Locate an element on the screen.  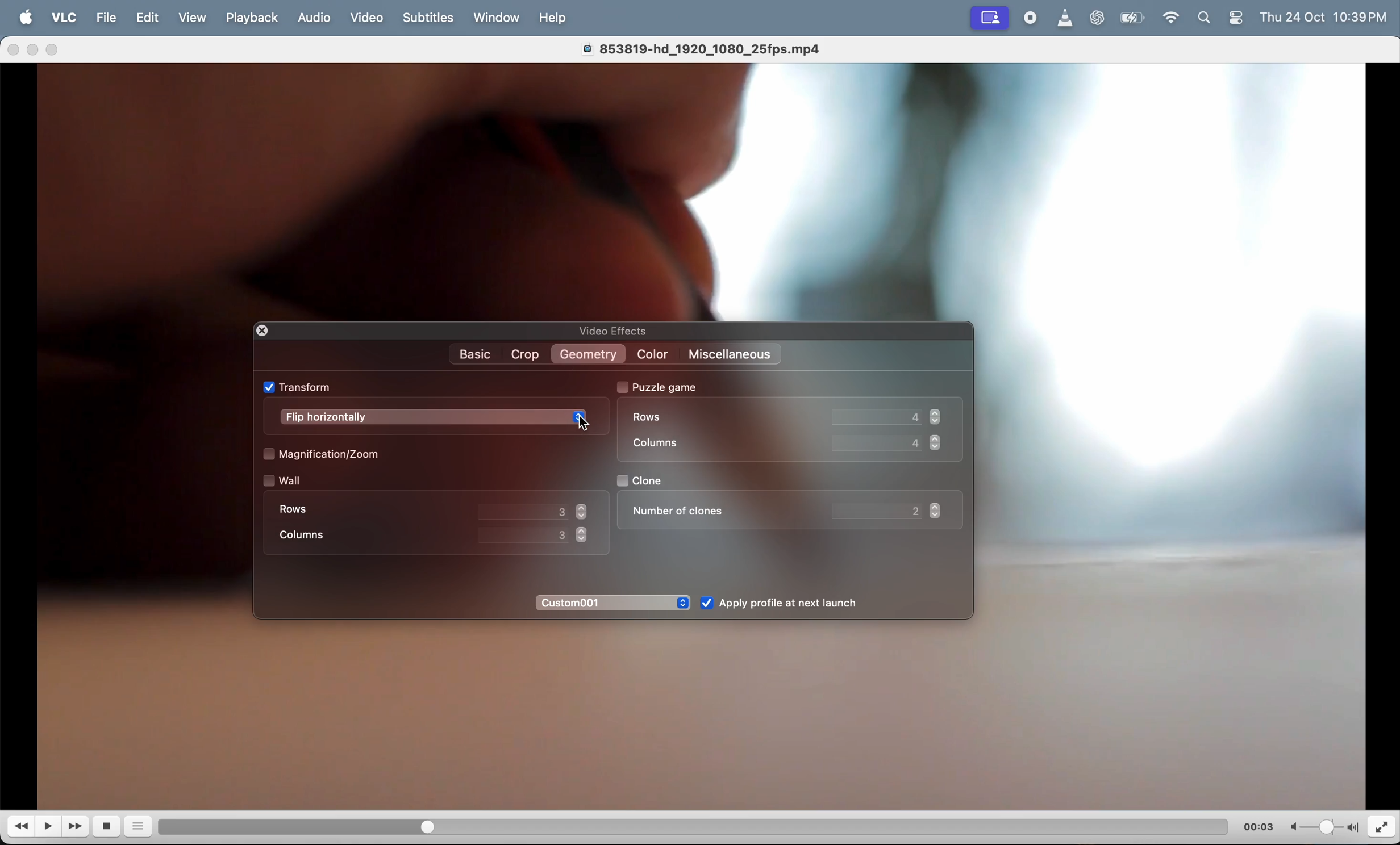
check box is located at coordinates (623, 386).